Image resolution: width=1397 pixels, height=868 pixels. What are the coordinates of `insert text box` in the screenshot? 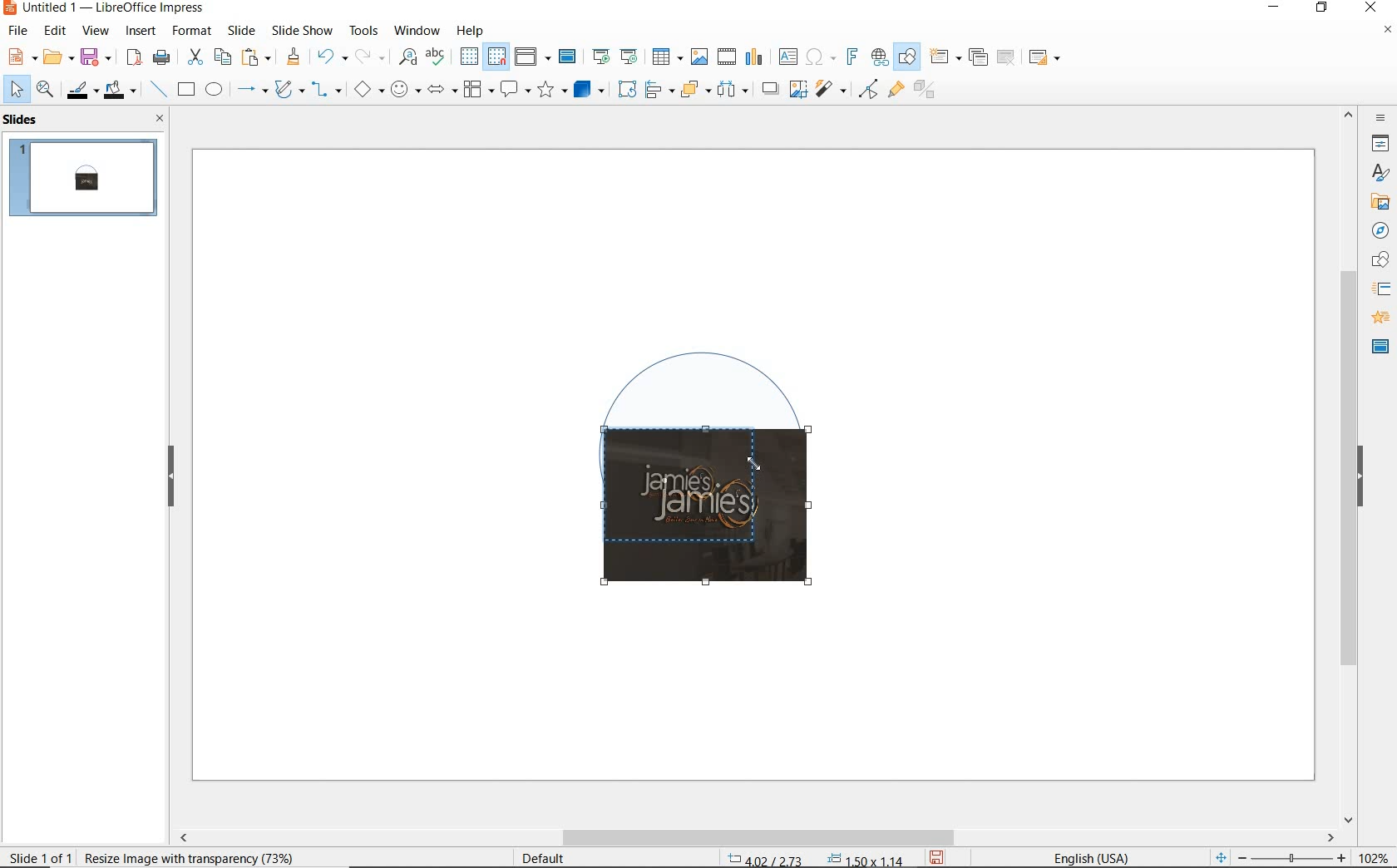 It's located at (787, 57).